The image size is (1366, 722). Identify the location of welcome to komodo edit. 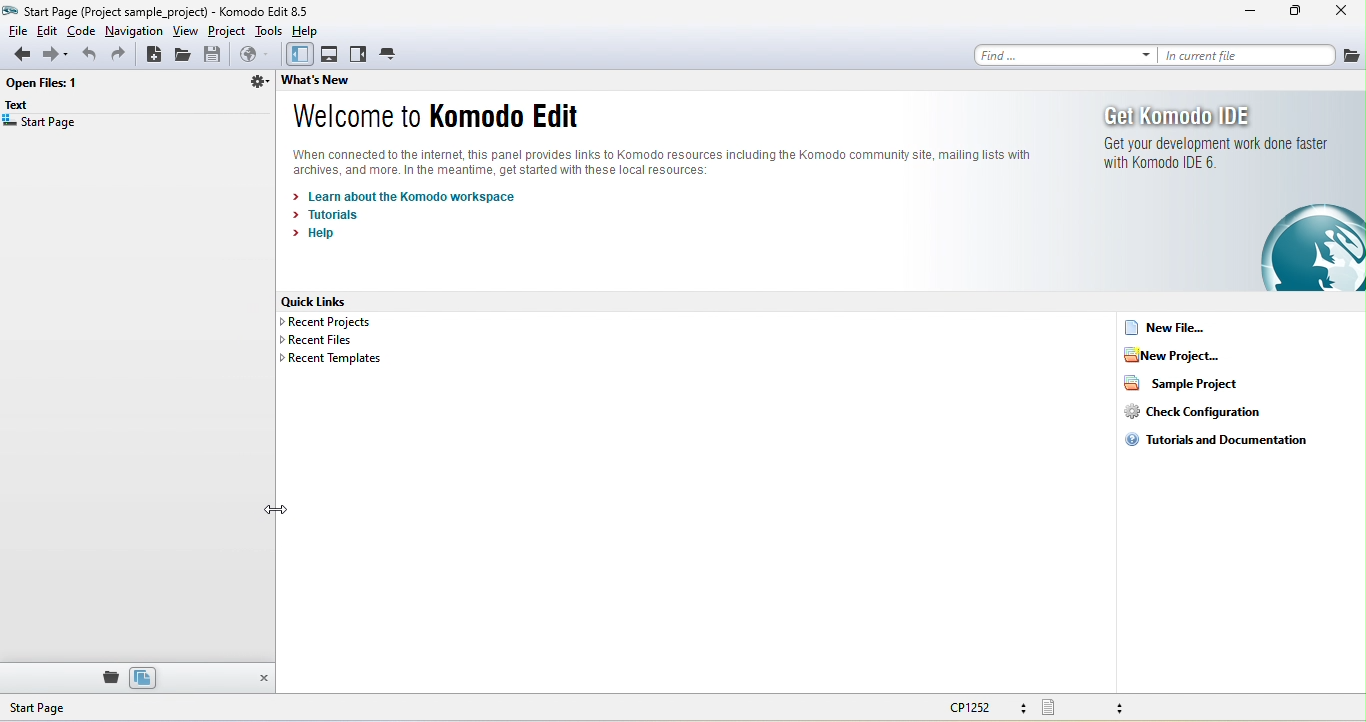
(436, 118).